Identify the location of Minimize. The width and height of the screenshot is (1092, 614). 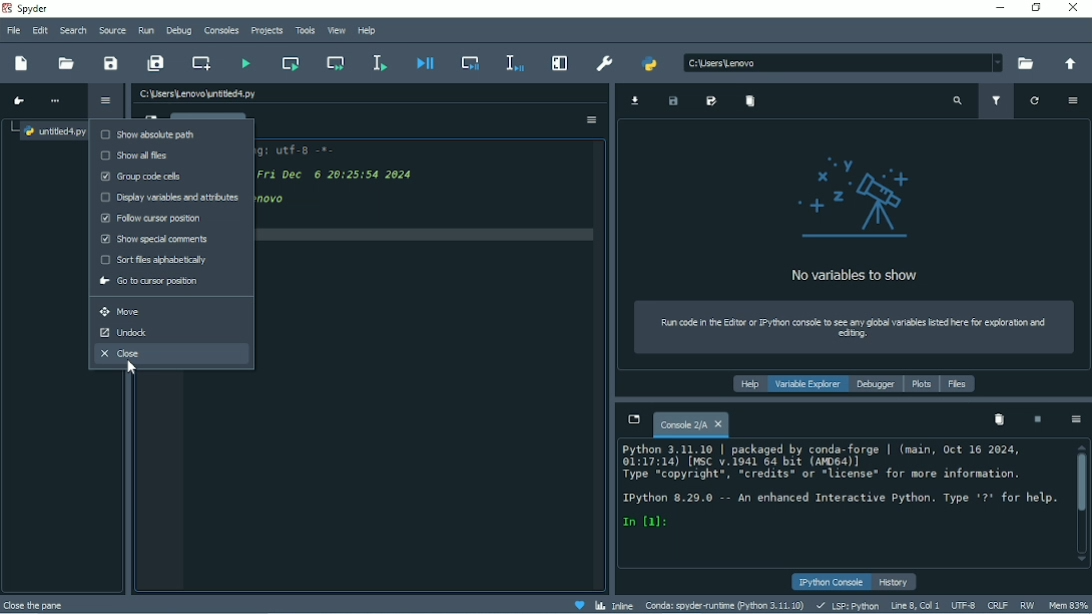
(997, 8).